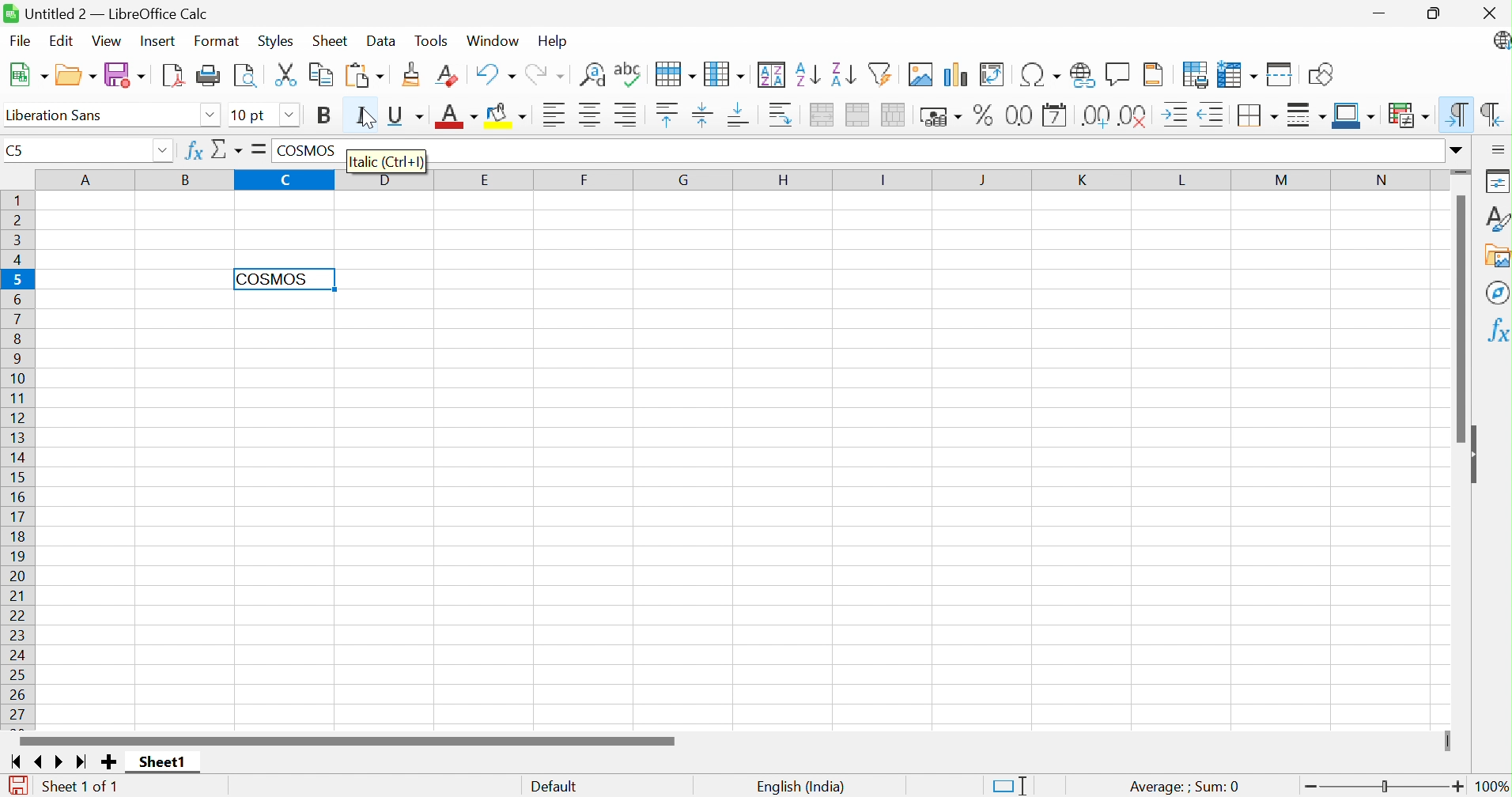 This screenshot has height=797, width=1512. What do you see at coordinates (173, 75) in the screenshot?
I see `Export as PDF` at bounding box center [173, 75].